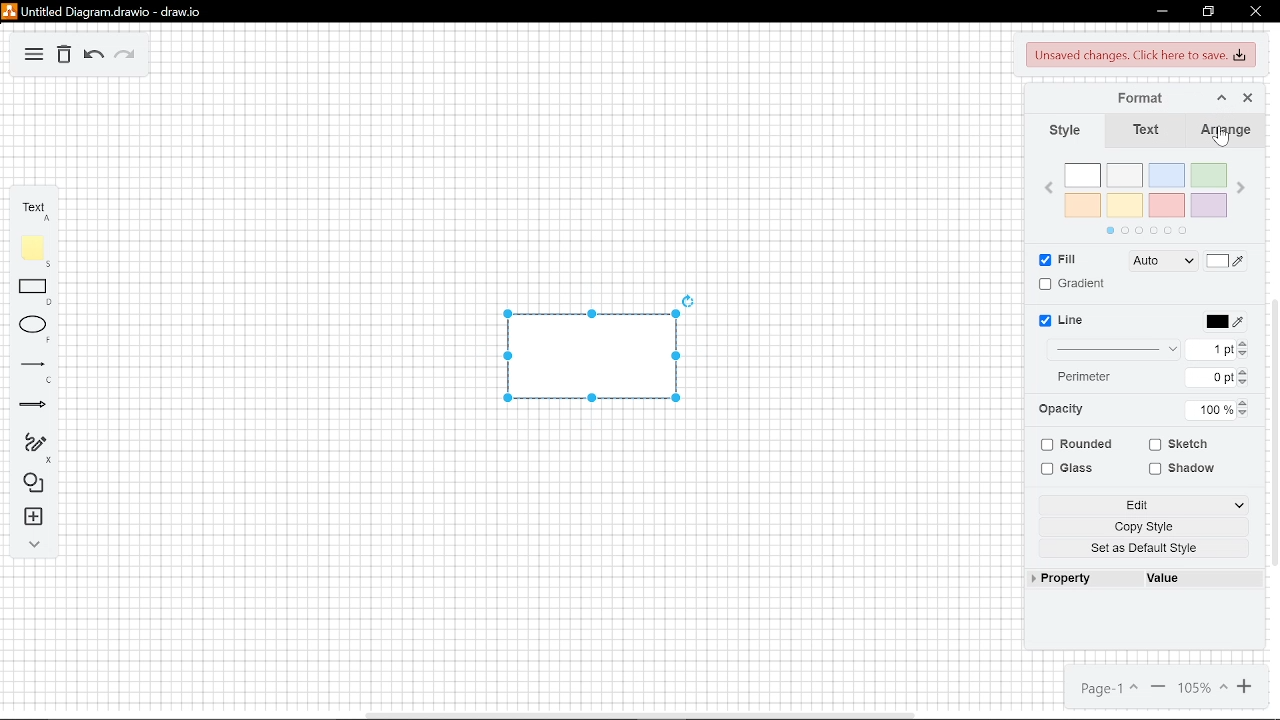 This screenshot has height=720, width=1280. I want to click on page, so click(1106, 686).